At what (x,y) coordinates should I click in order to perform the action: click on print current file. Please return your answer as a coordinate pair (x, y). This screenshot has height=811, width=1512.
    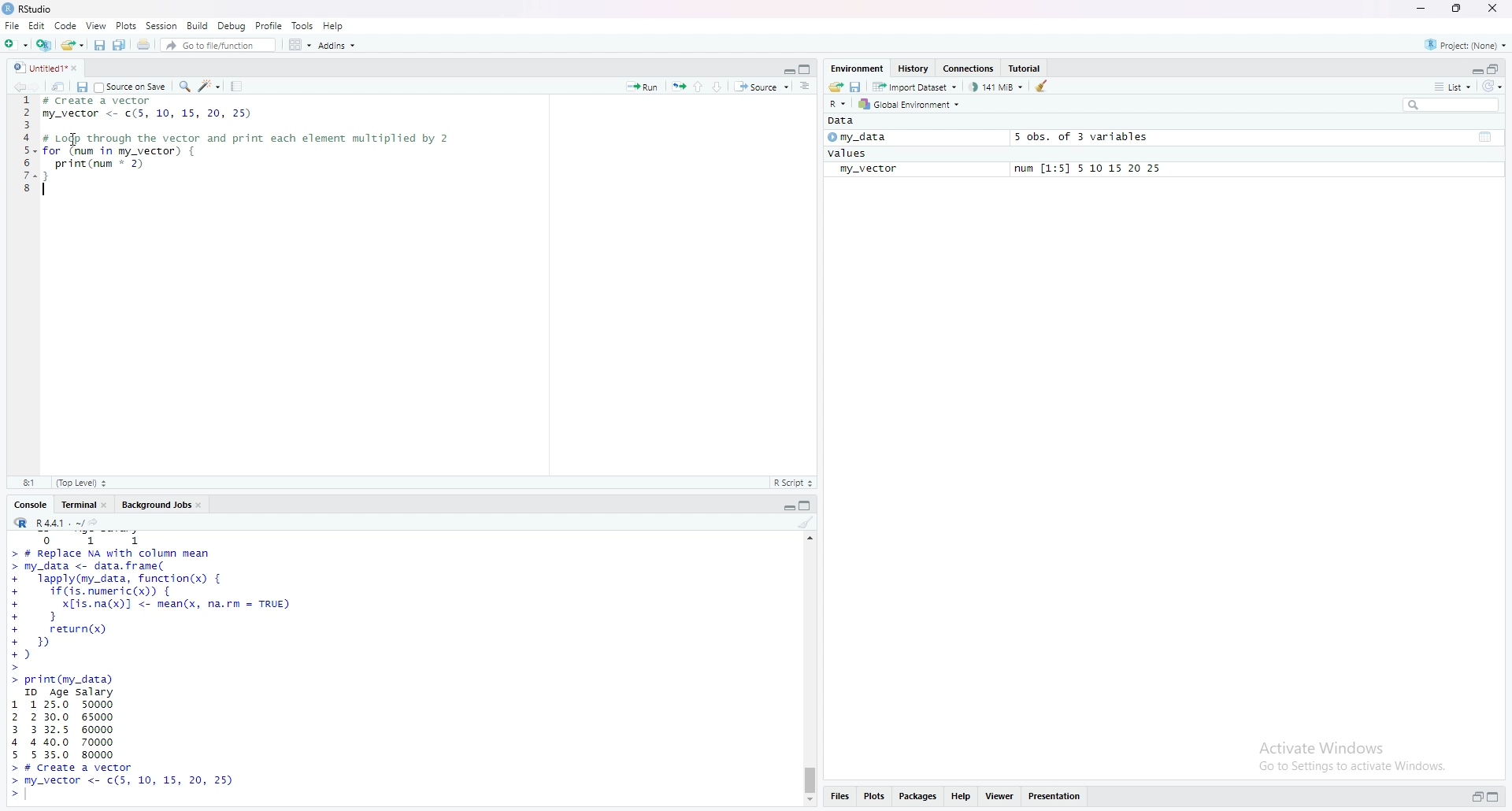
    Looking at the image, I should click on (144, 46).